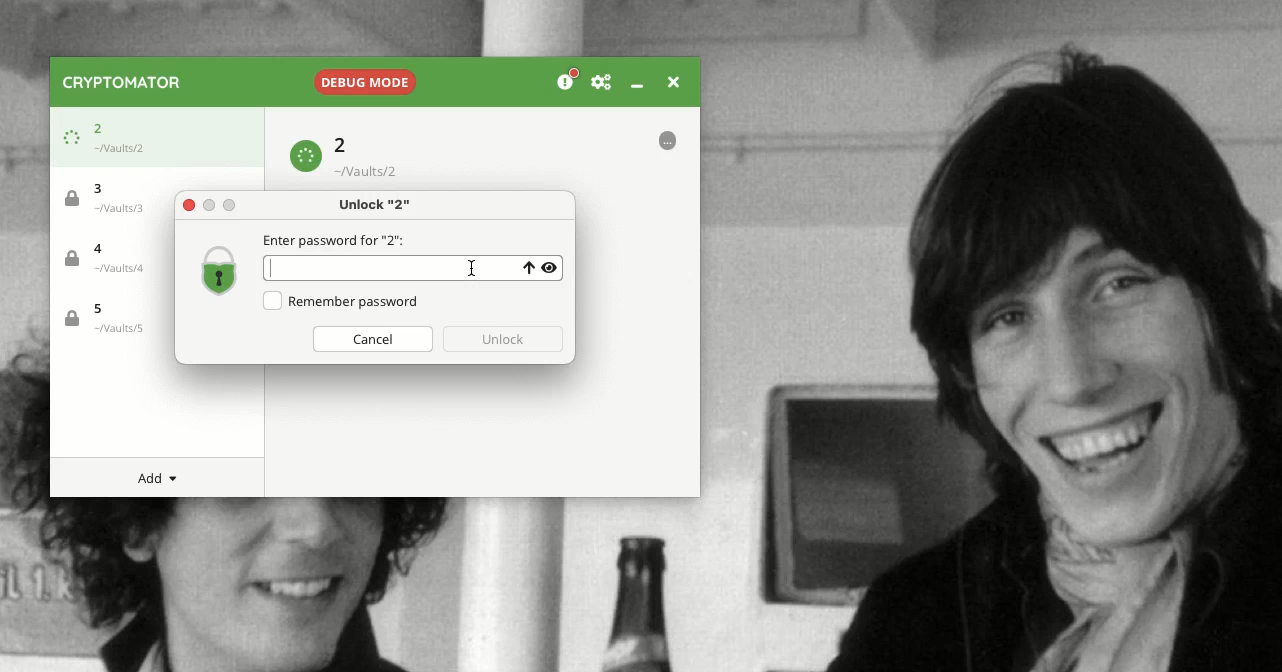  Describe the element at coordinates (112, 261) in the screenshot. I see `Vault 4` at that location.